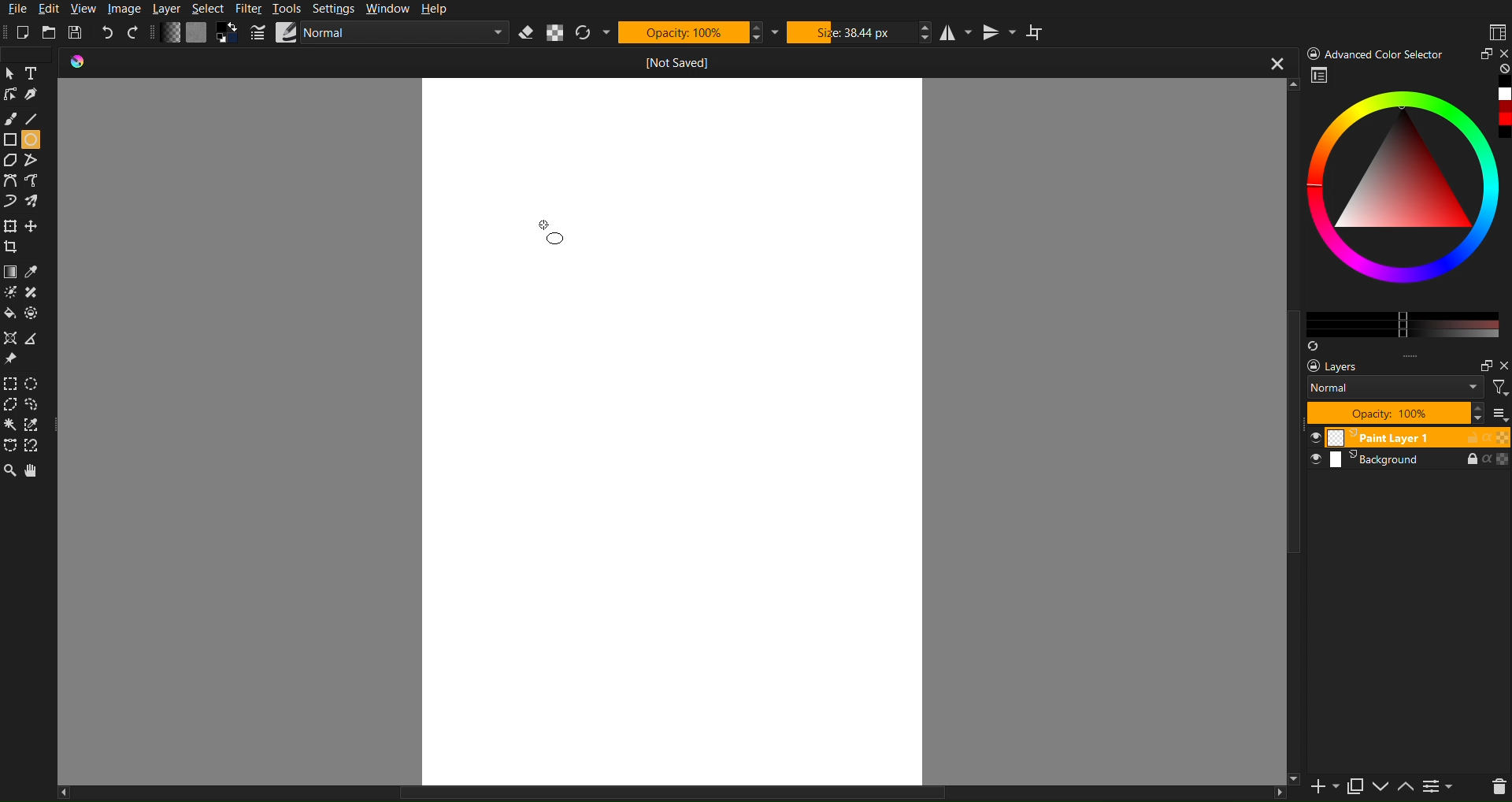  I want to click on Cursor, so click(545, 230).